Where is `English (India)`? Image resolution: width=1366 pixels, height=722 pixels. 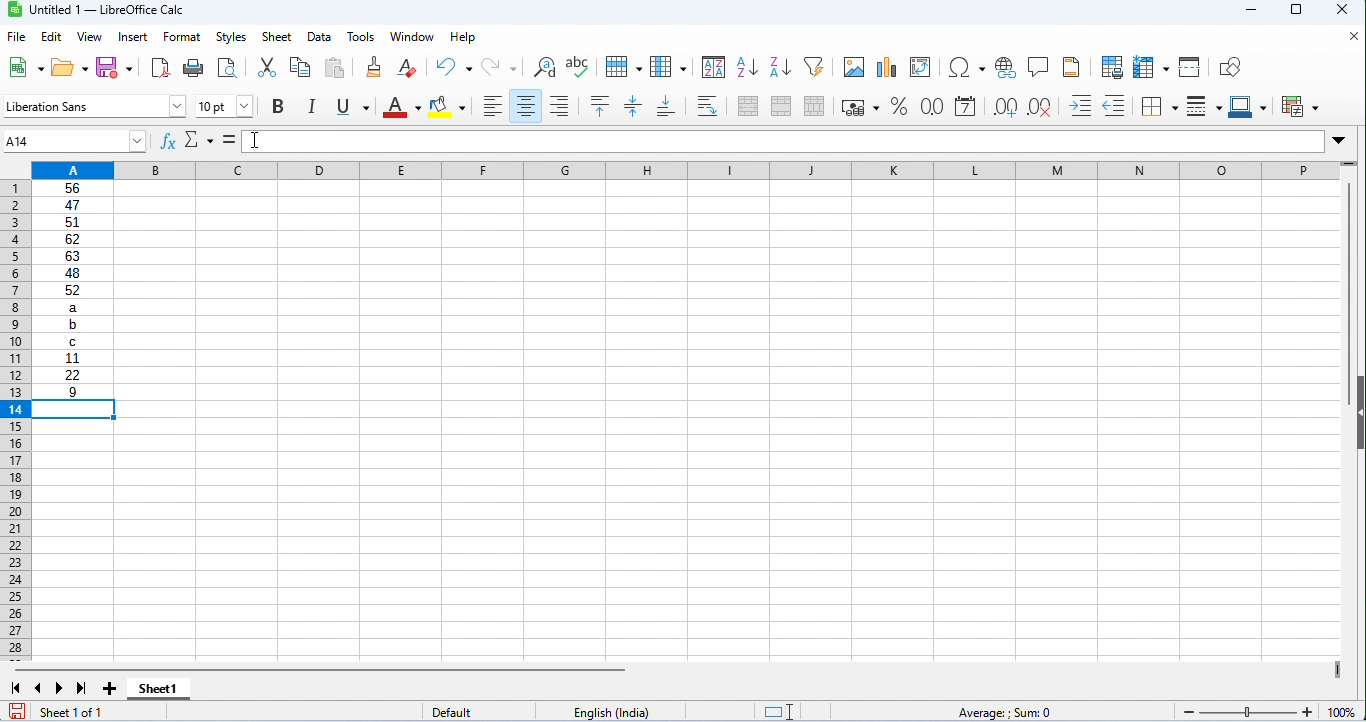 English (India) is located at coordinates (611, 712).